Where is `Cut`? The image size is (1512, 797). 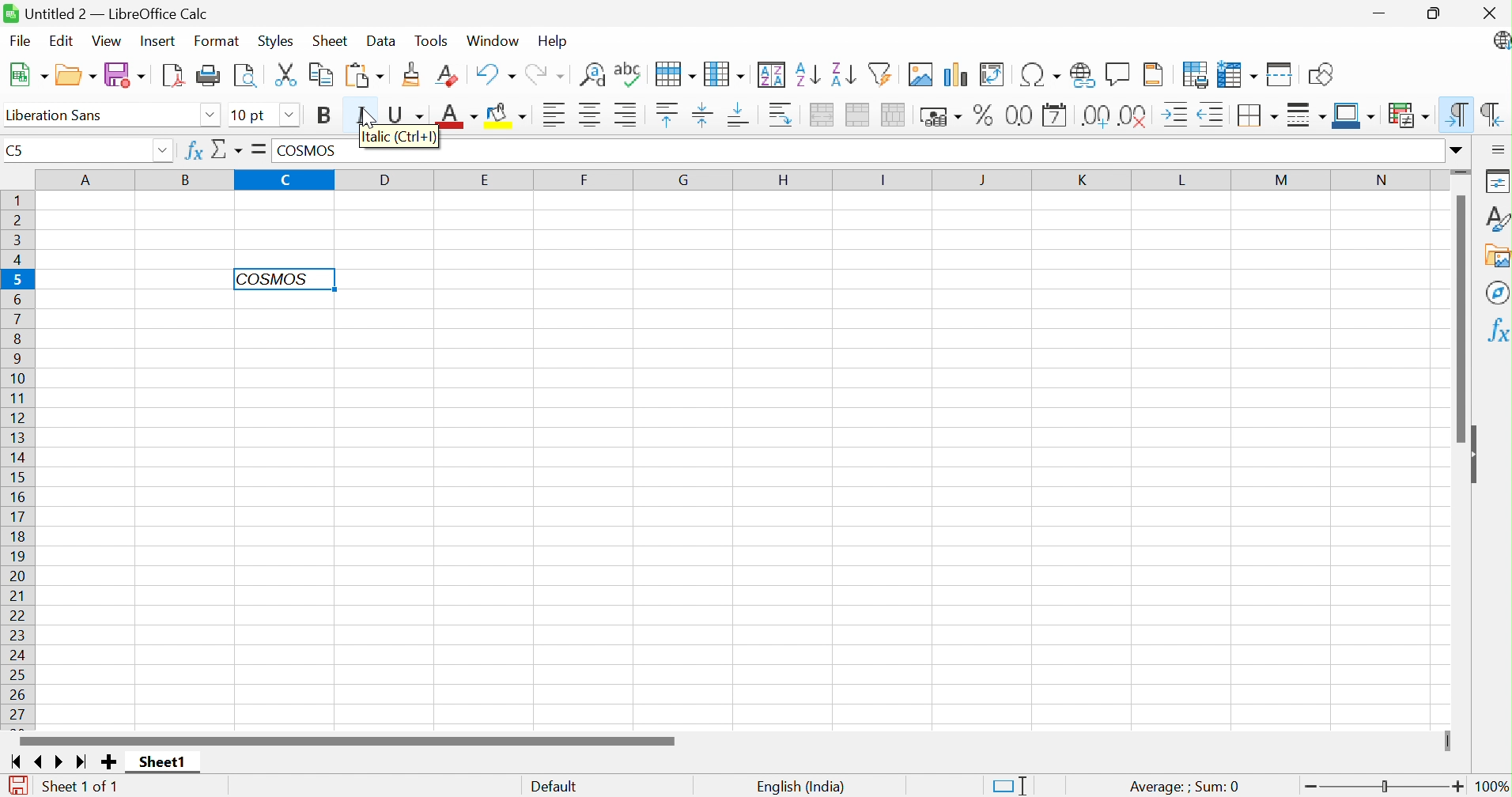 Cut is located at coordinates (285, 74).